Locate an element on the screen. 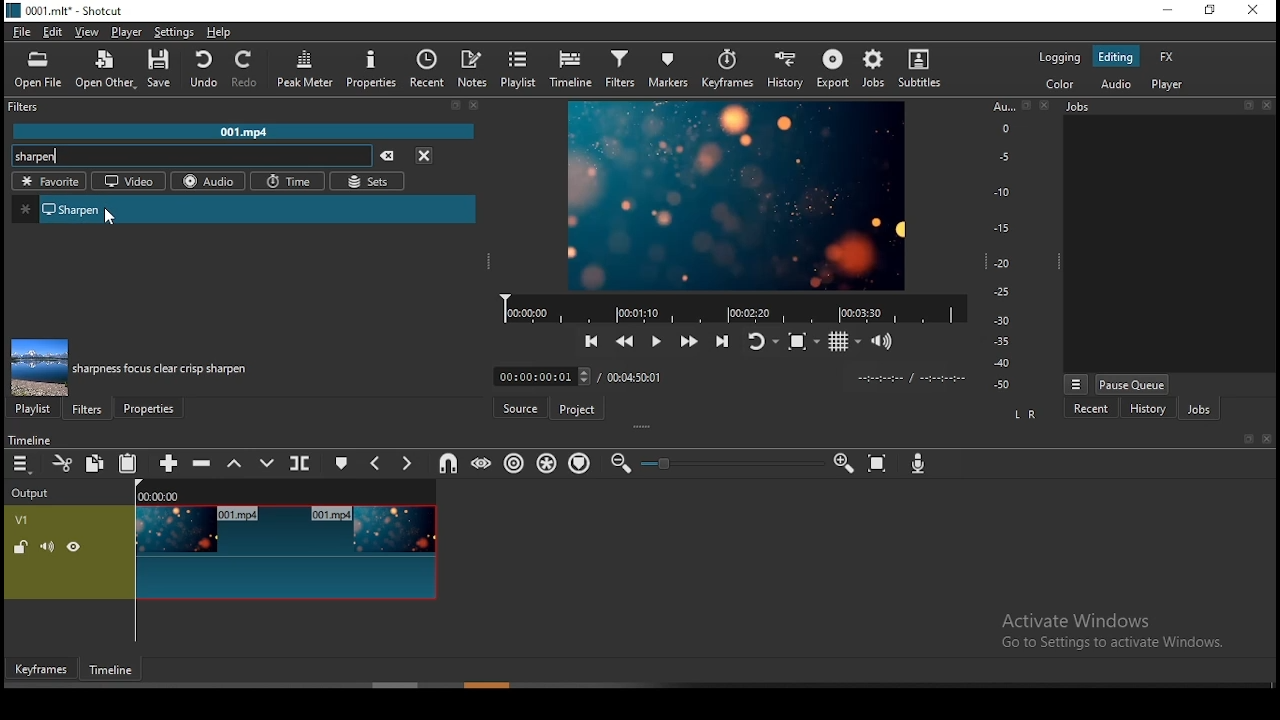 The width and height of the screenshot is (1280, 720). cut is located at coordinates (63, 463).